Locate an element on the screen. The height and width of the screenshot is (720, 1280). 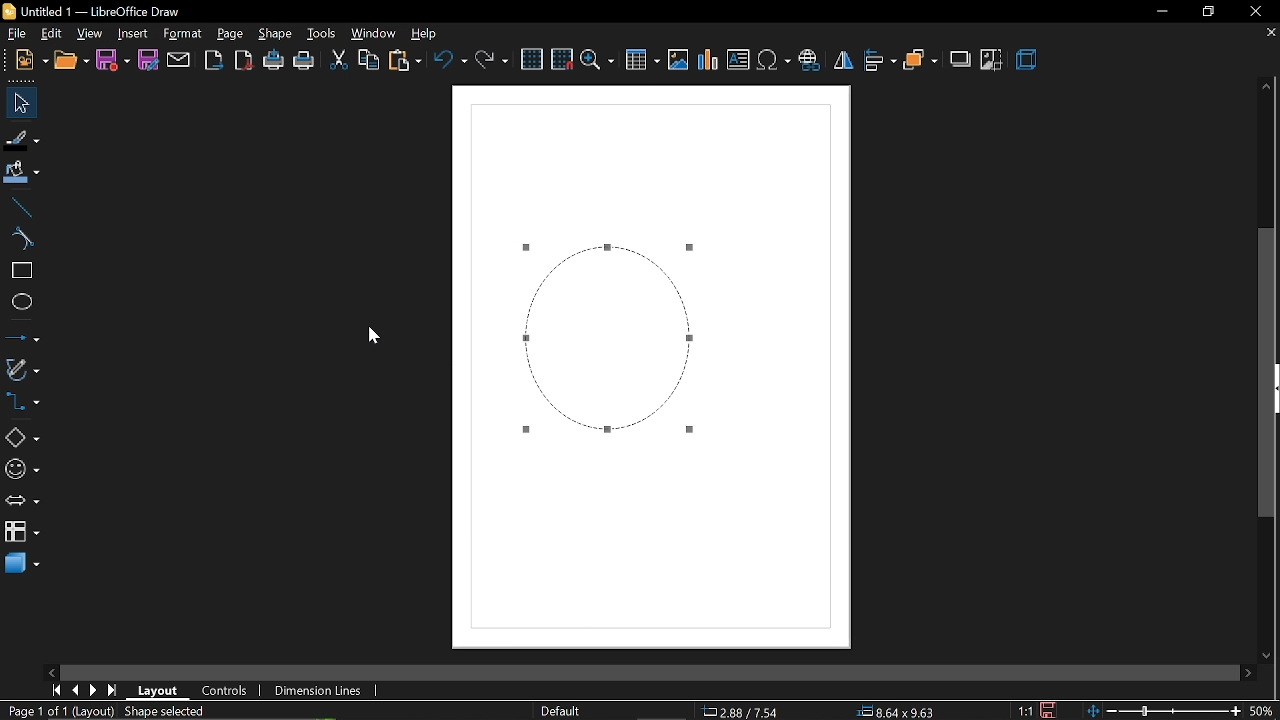
save as is located at coordinates (148, 62).